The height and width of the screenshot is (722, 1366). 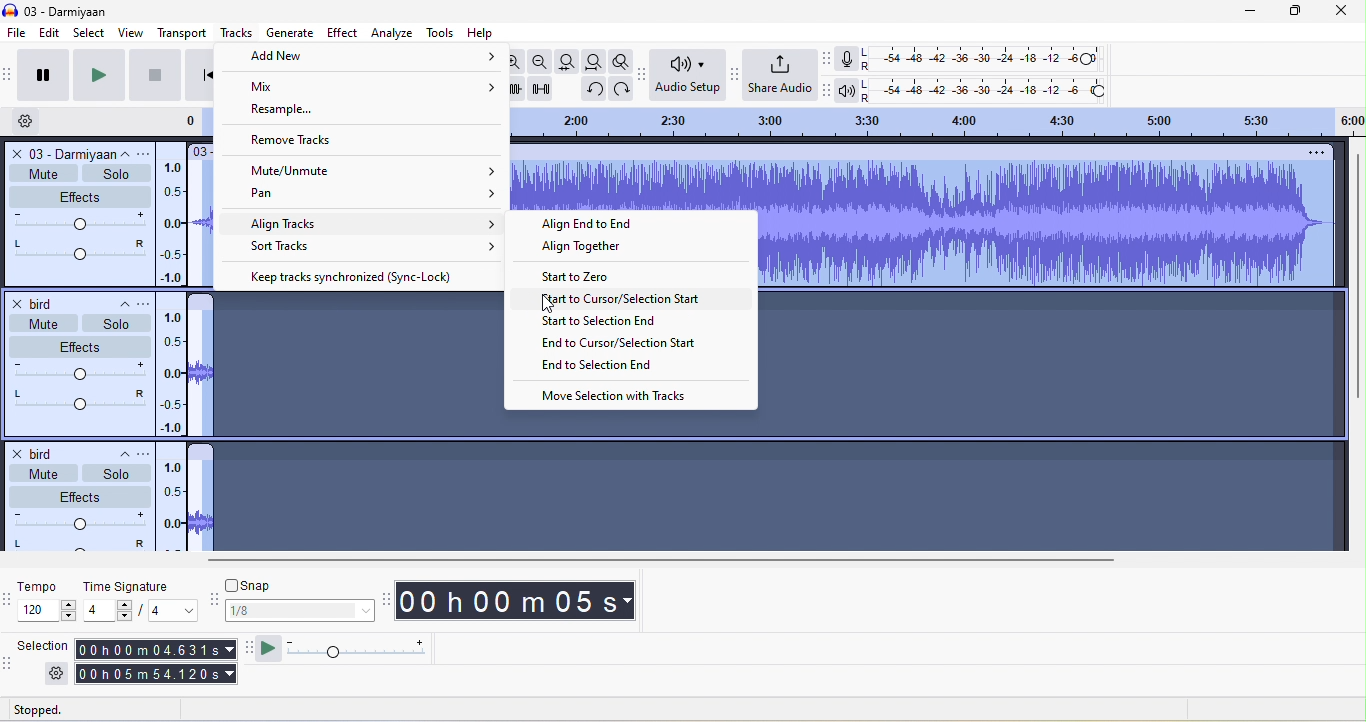 What do you see at coordinates (43, 451) in the screenshot?
I see `bird` at bounding box center [43, 451].